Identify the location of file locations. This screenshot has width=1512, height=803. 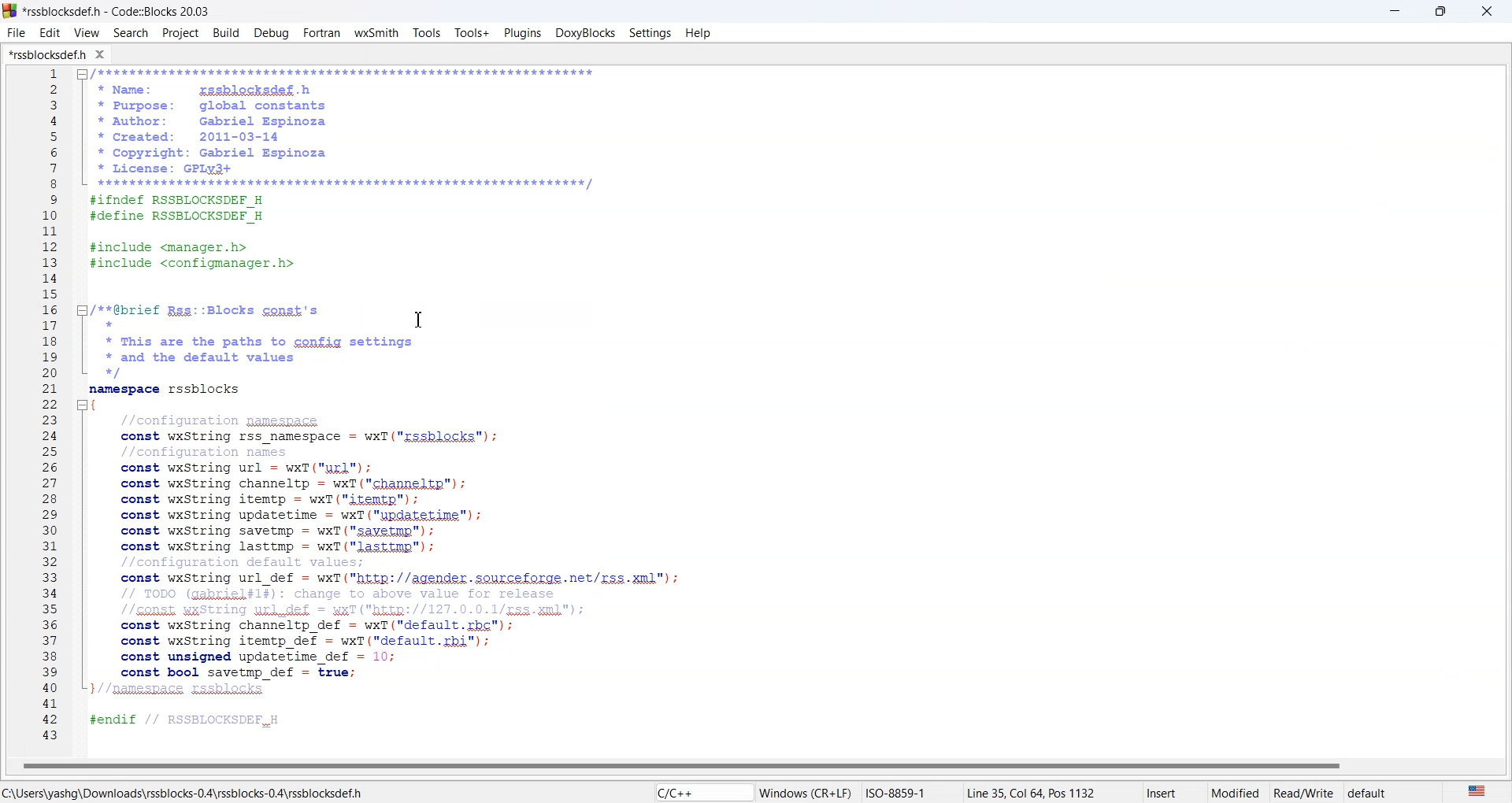
(203, 791).